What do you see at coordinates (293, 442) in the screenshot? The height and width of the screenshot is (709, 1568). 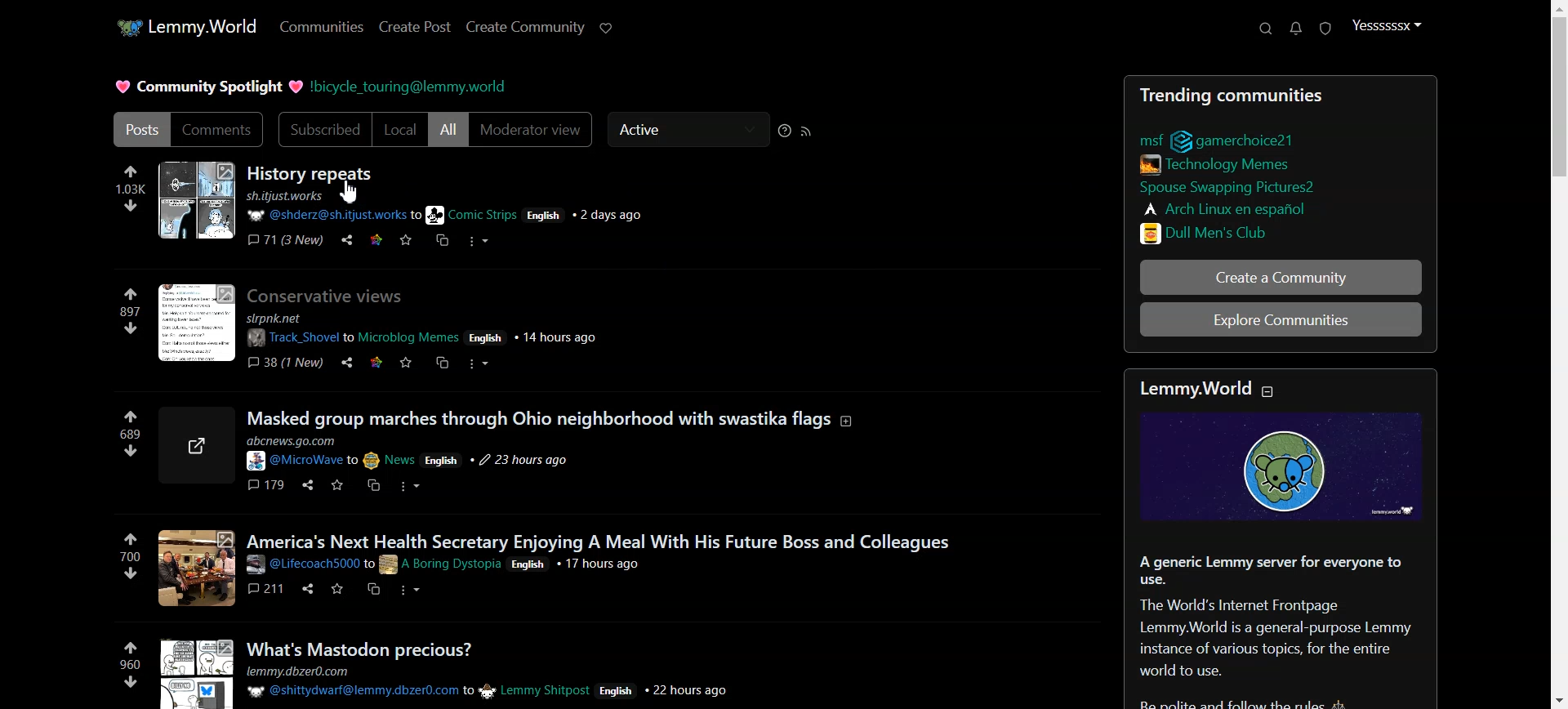 I see `abcnews.go.com` at bounding box center [293, 442].